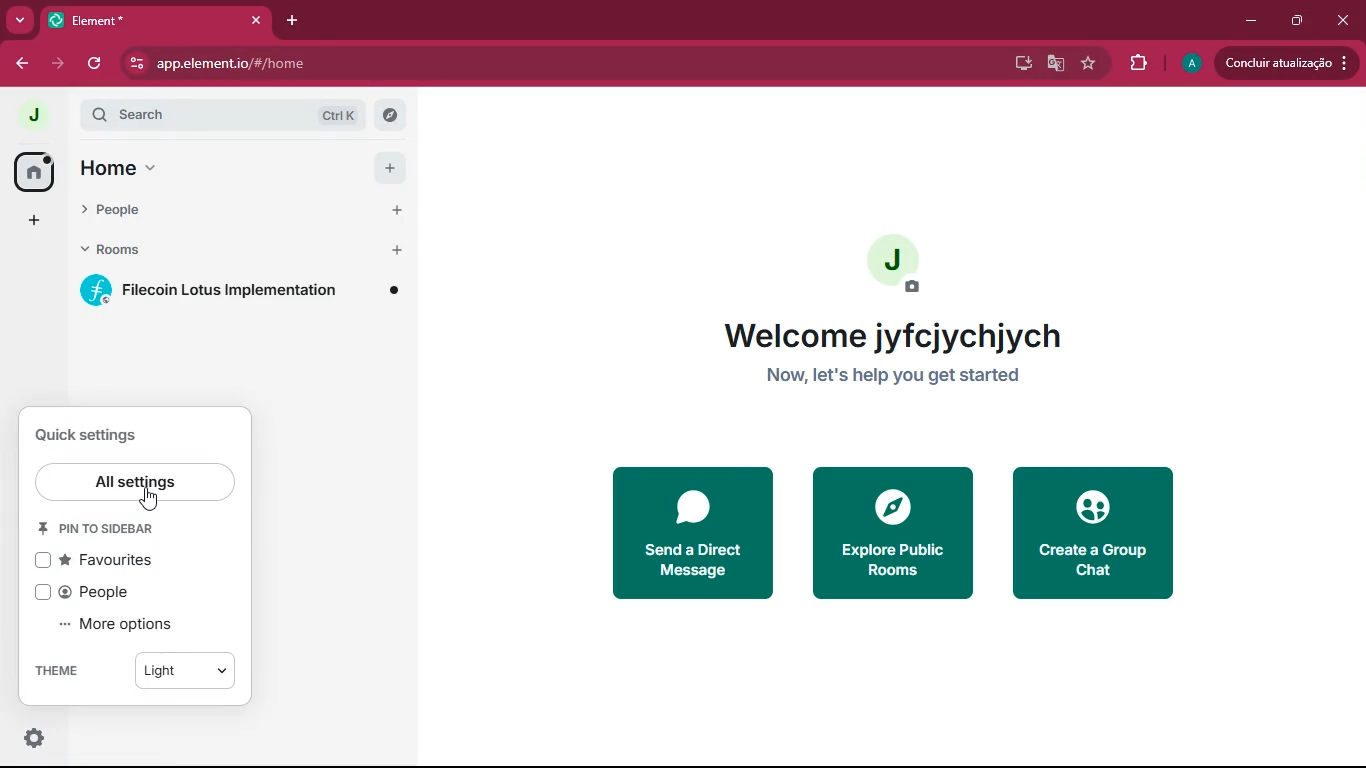  What do you see at coordinates (90, 592) in the screenshot?
I see `people` at bounding box center [90, 592].